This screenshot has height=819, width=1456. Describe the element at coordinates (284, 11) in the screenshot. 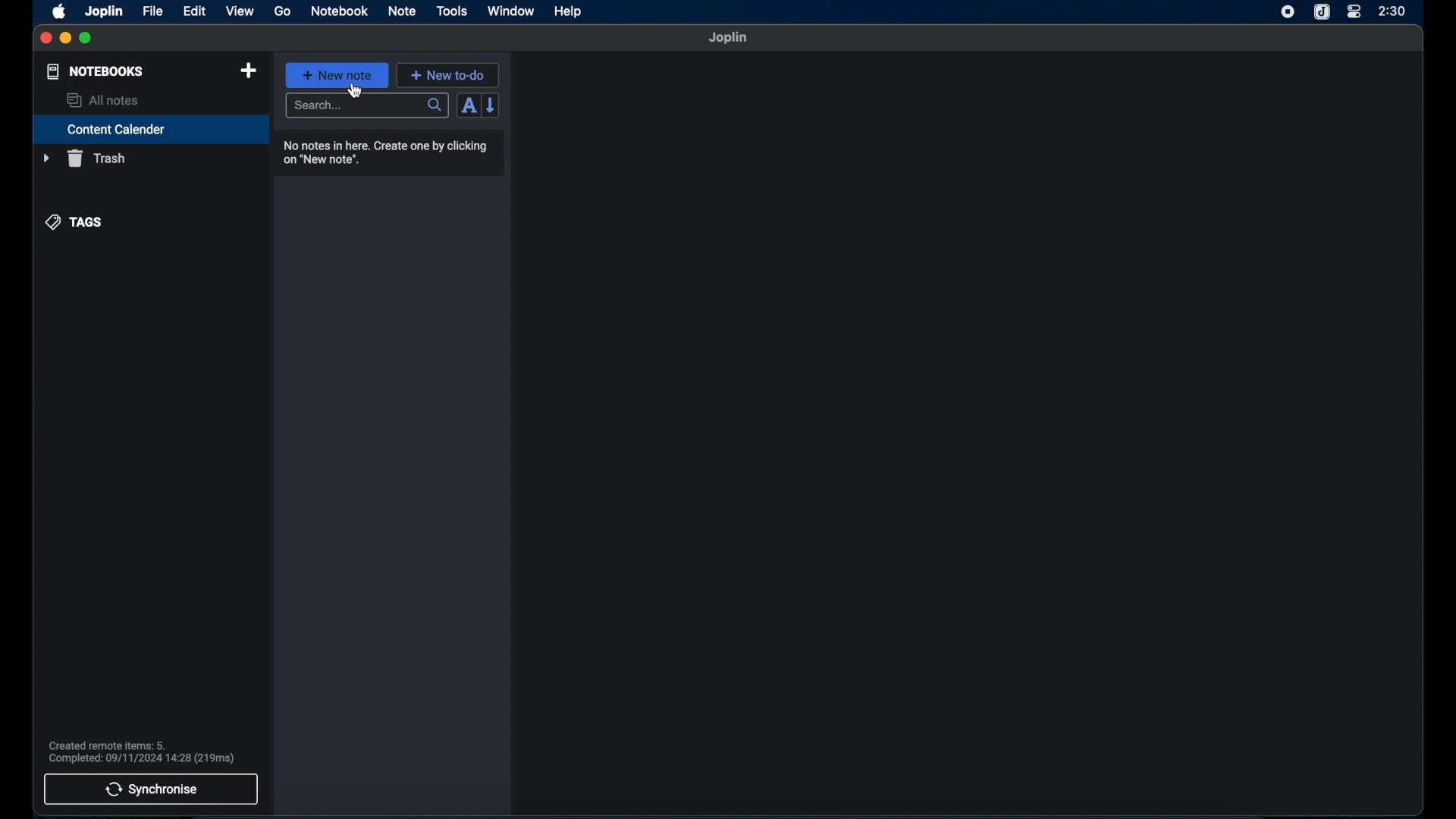

I see `go` at that location.